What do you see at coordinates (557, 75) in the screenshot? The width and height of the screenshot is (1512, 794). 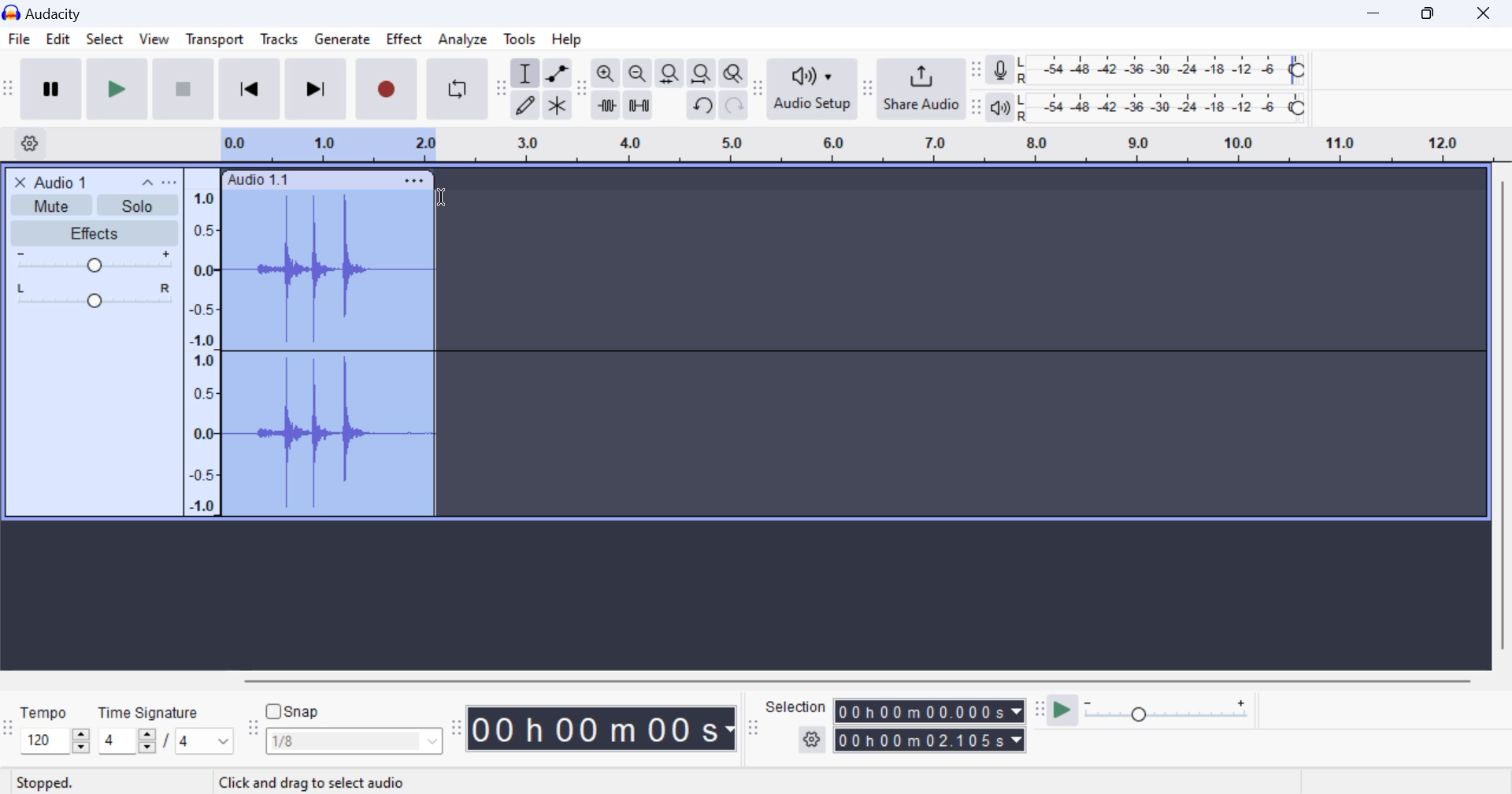 I see `envelop tool` at bounding box center [557, 75].